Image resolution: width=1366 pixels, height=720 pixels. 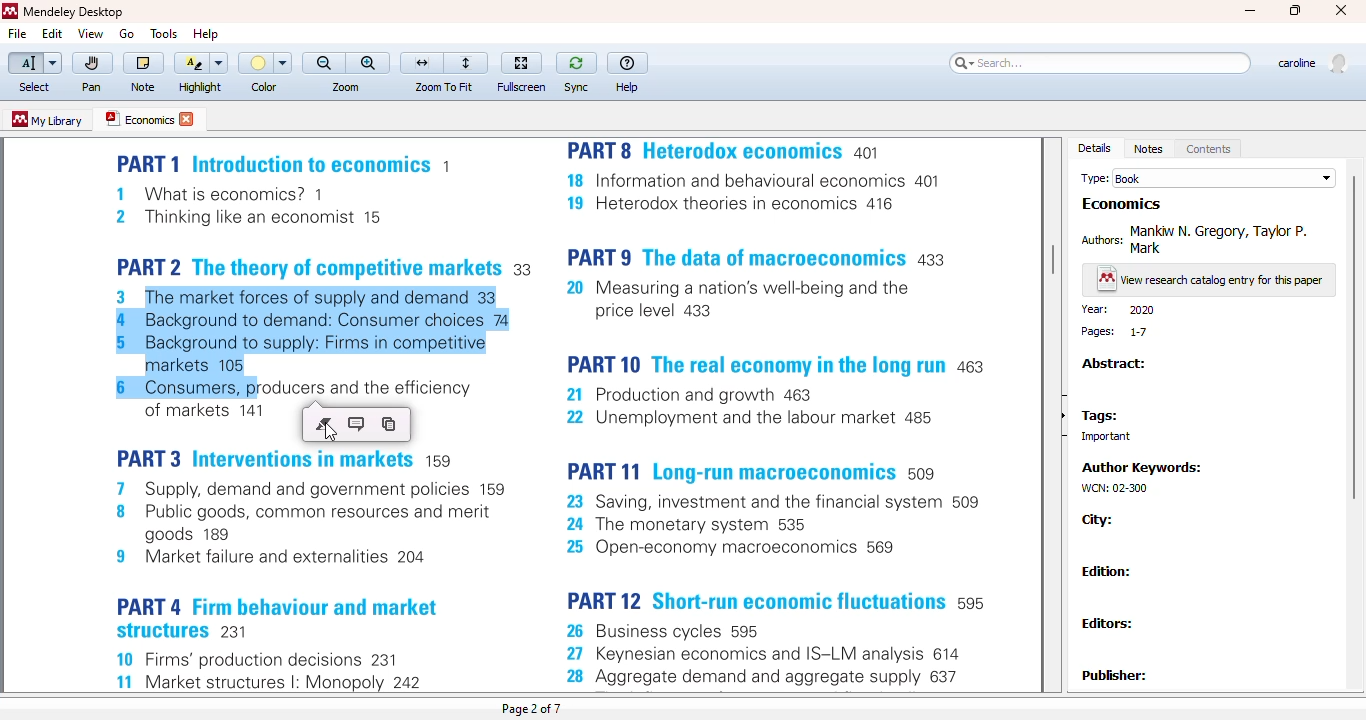 I want to click on go, so click(x=126, y=34).